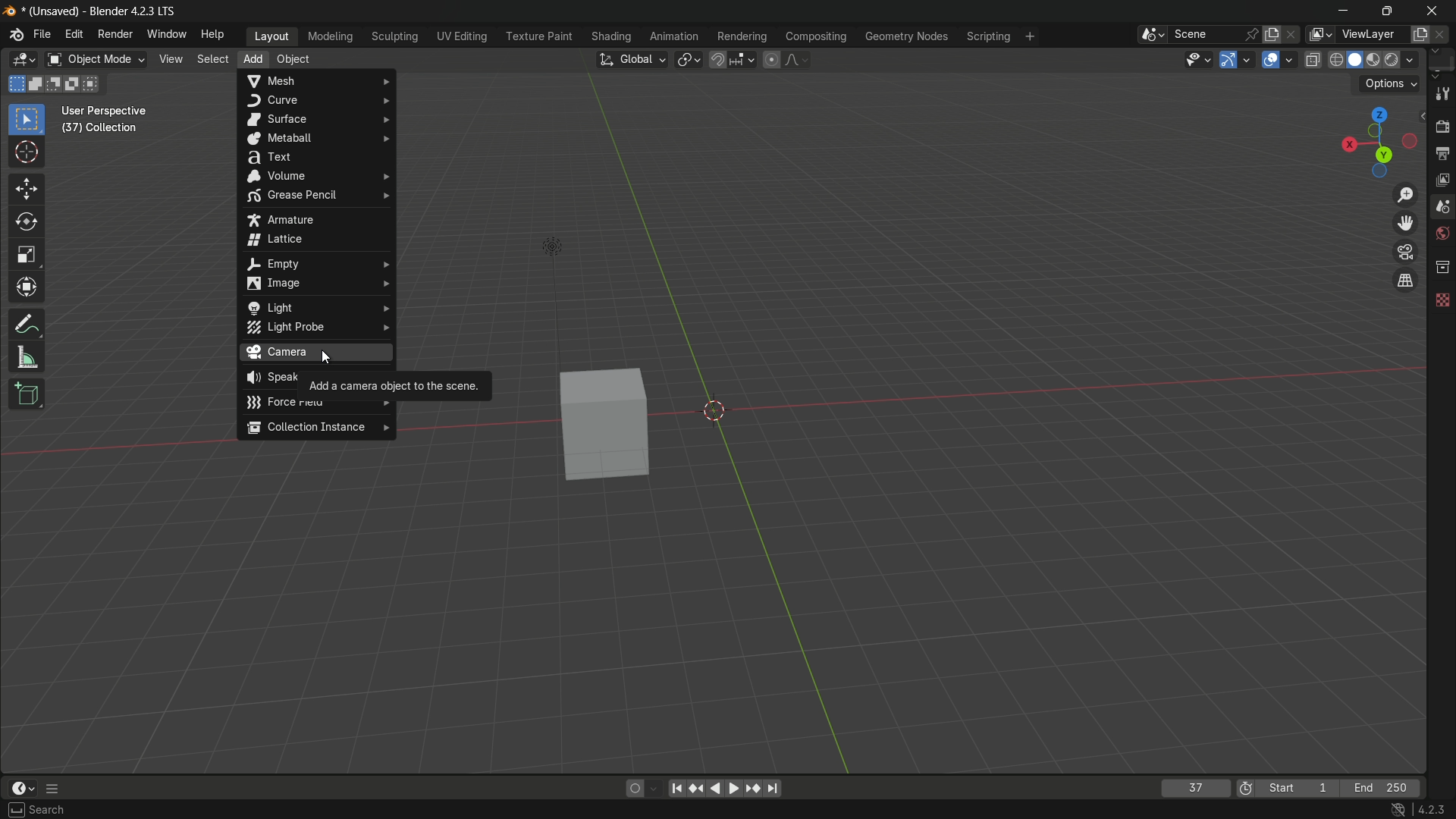 This screenshot has height=819, width=1456. Describe the element at coordinates (322, 359) in the screenshot. I see `cursor` at that location.